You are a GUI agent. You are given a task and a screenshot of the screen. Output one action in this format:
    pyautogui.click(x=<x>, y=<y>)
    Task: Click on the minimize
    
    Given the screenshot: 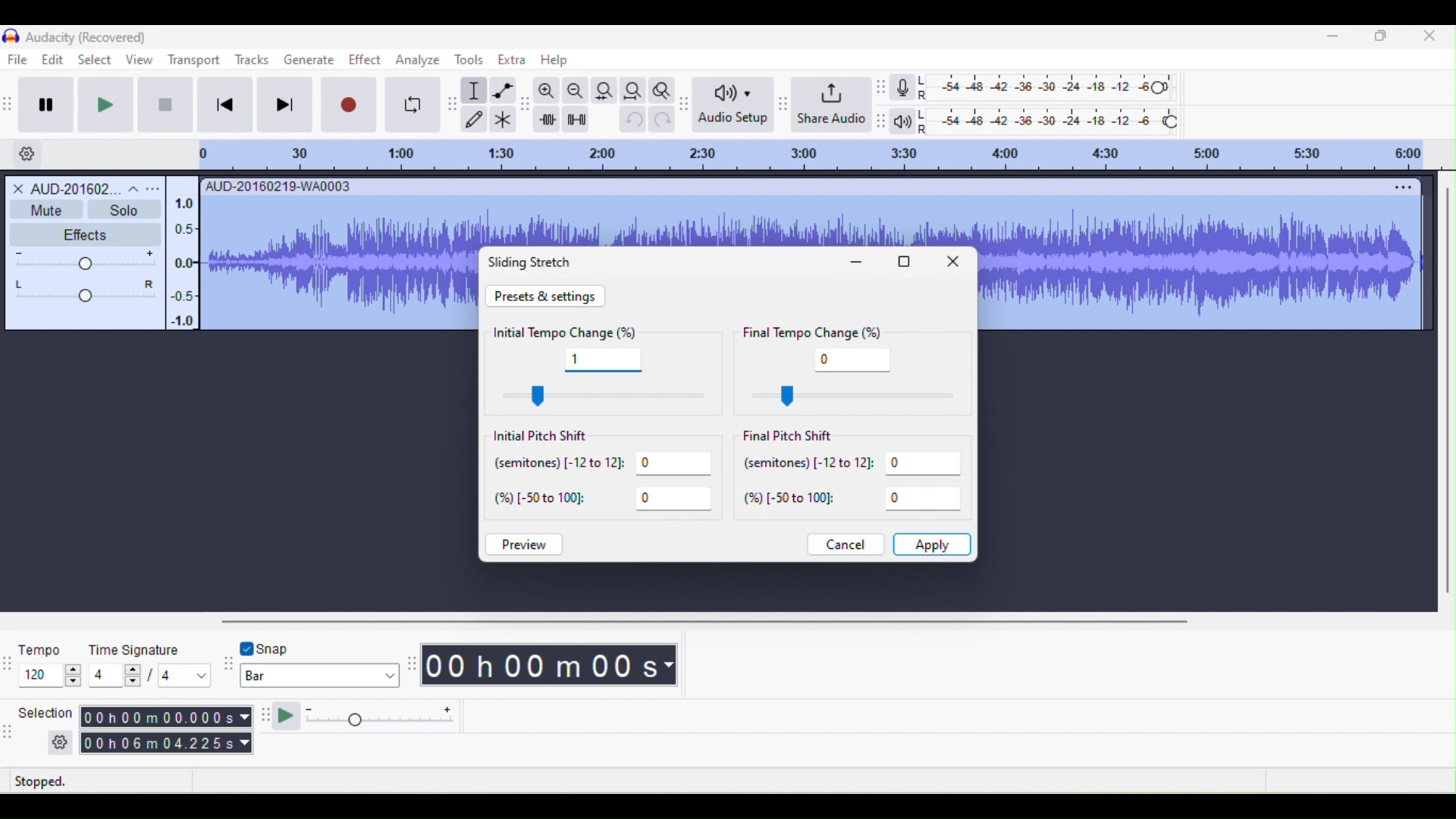 What is the action you would take?
    pyautogui.click(x=858, y=262)
    